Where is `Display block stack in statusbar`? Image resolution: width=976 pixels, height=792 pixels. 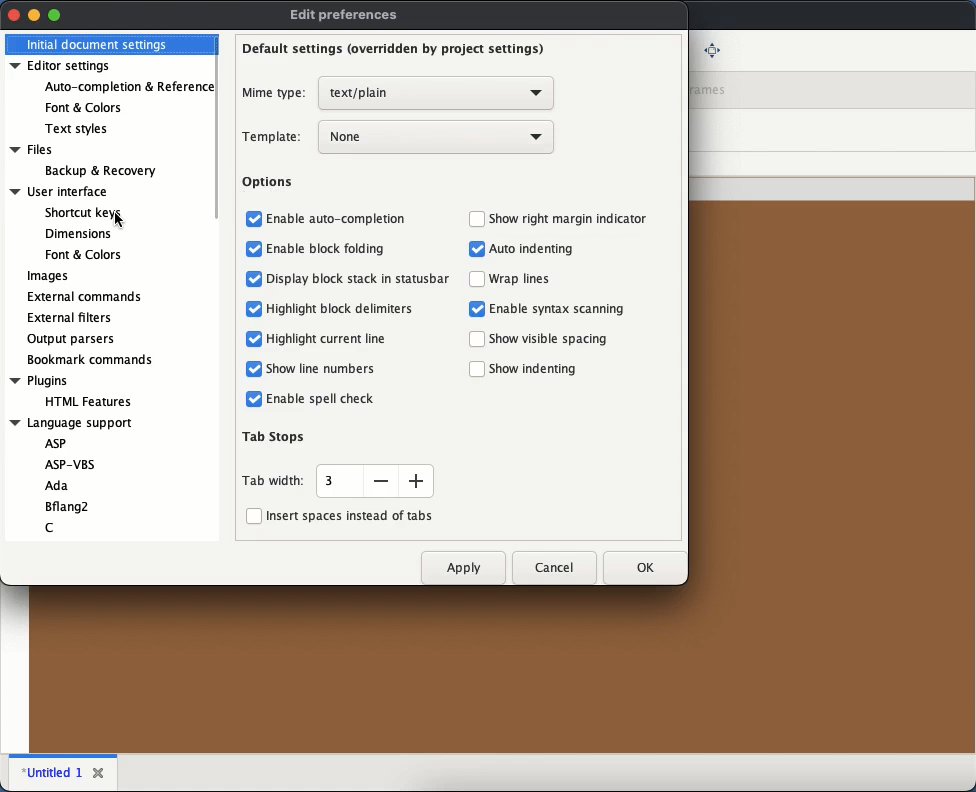 Display block stack in statusbar is located at coordinates (362, 281).